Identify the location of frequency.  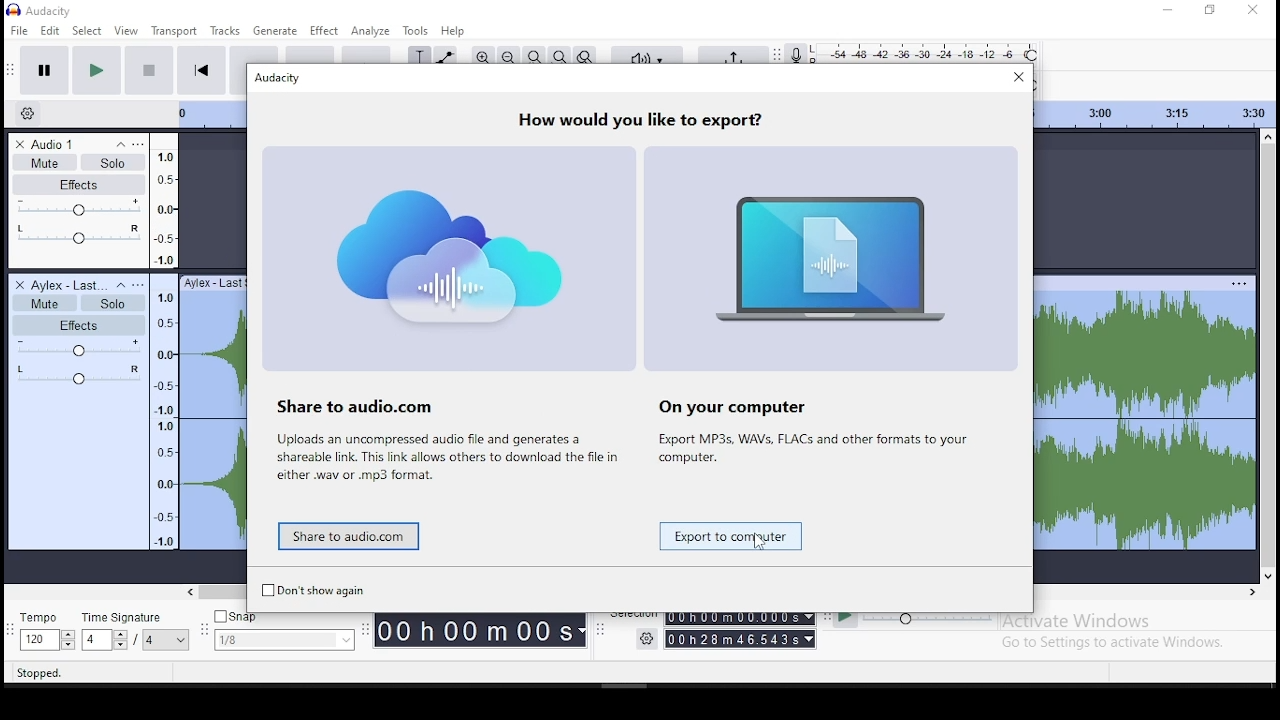
(164, 200).